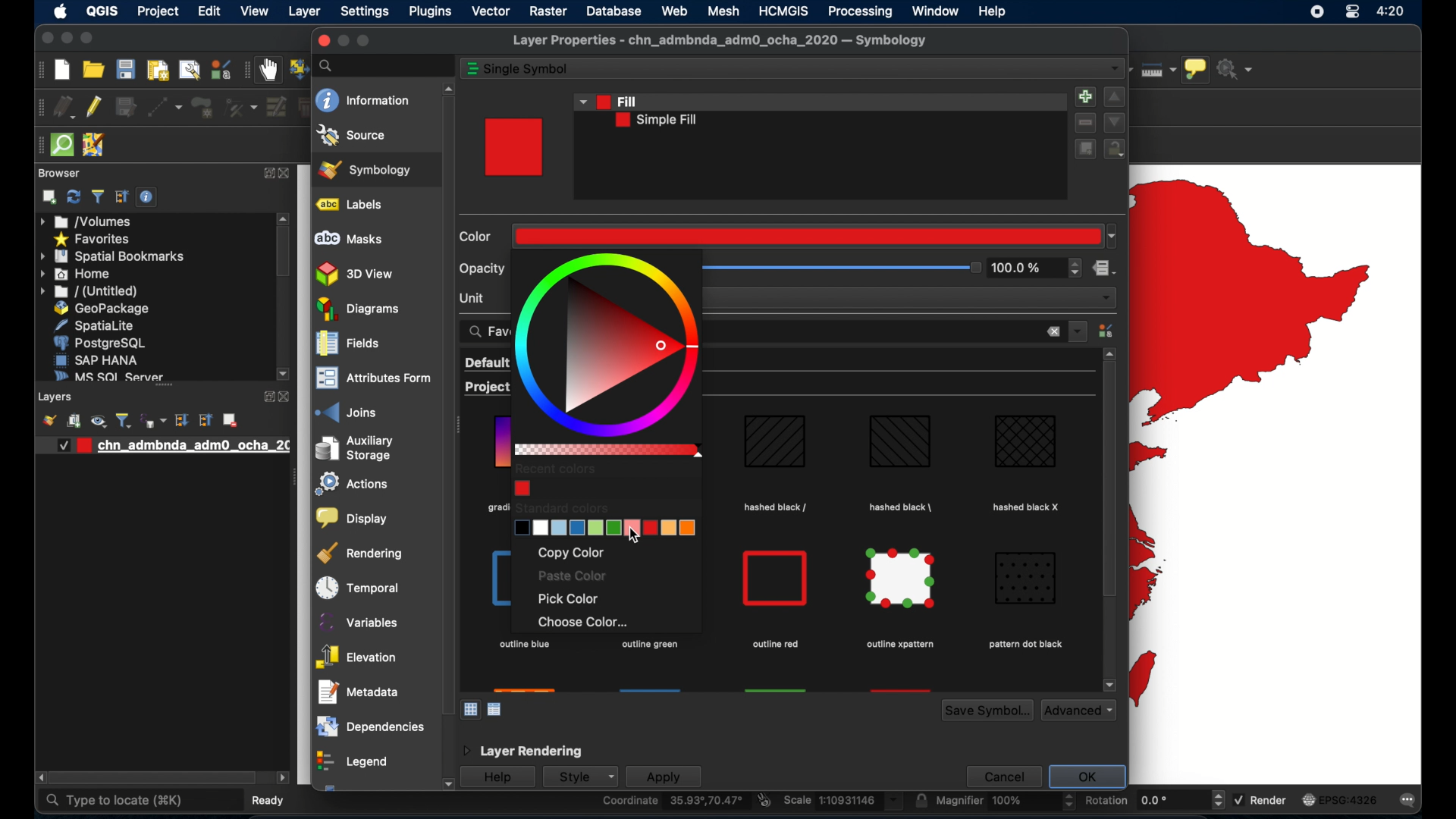  Describe the element at coordinates (472, 69) in the screenshot. I see `icon` at that location.